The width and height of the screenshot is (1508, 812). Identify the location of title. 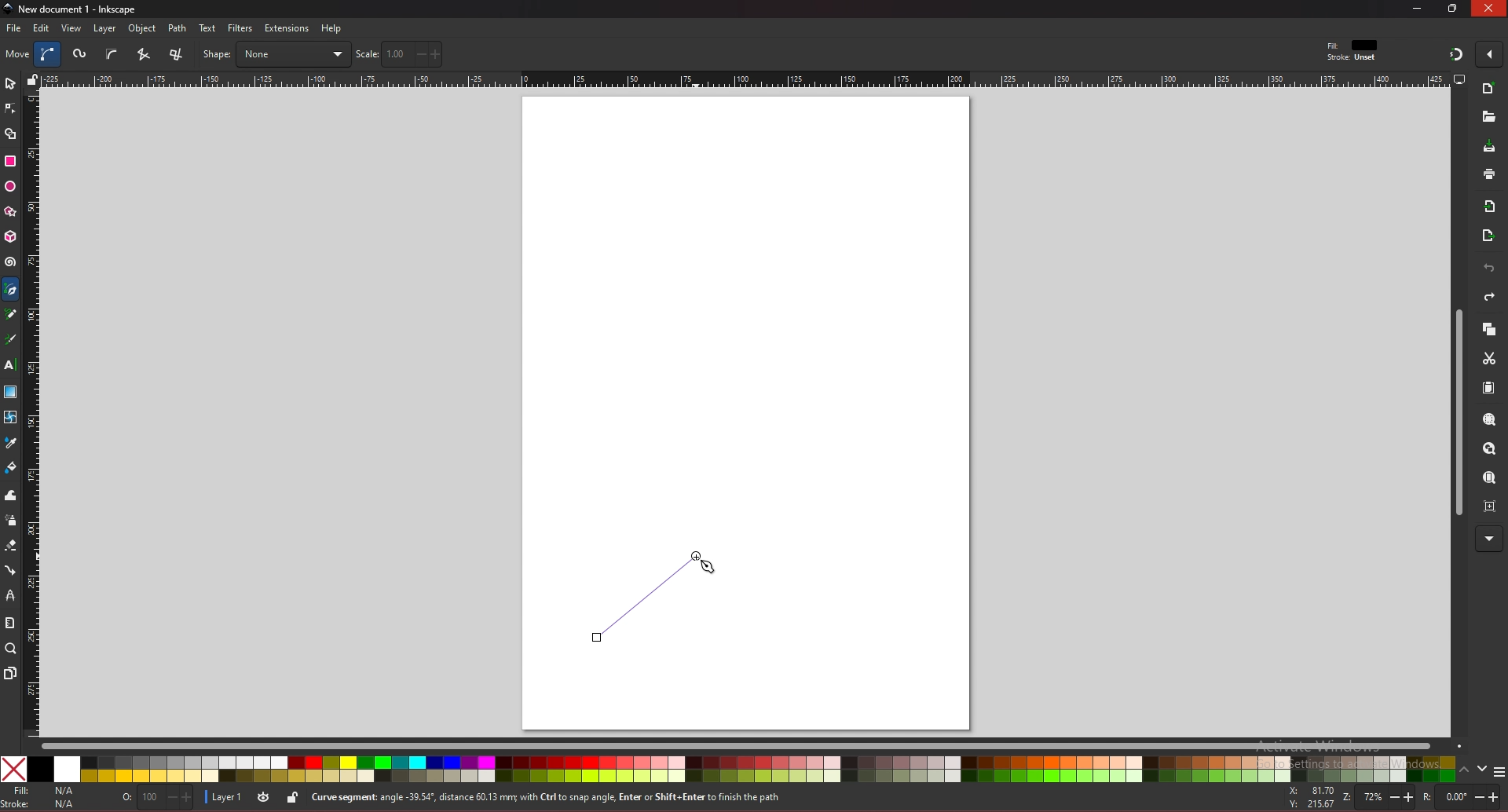
(72, 8).